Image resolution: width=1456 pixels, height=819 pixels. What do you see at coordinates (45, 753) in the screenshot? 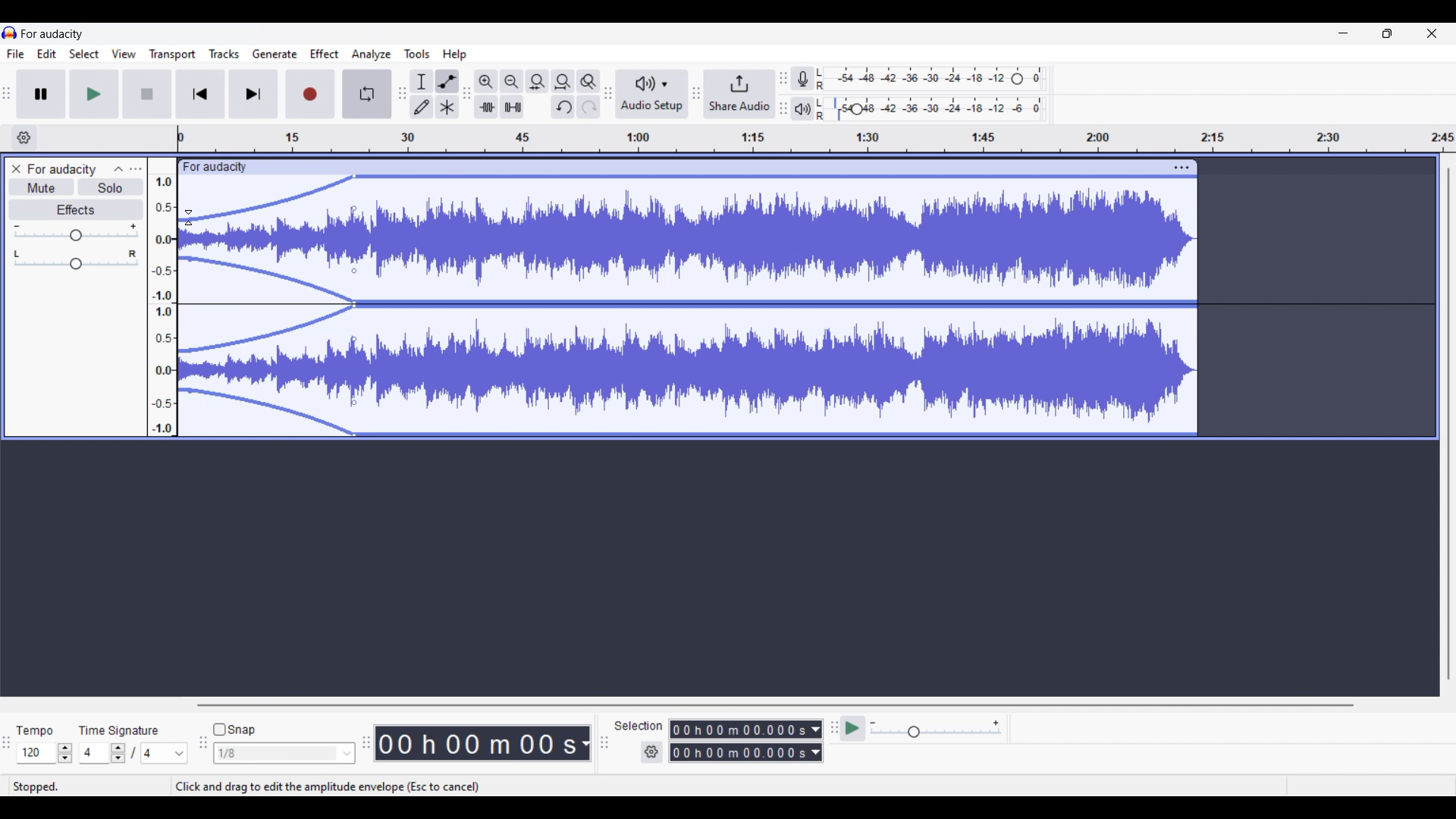
I see `Tempo settings` at bounding box center [45, 753].